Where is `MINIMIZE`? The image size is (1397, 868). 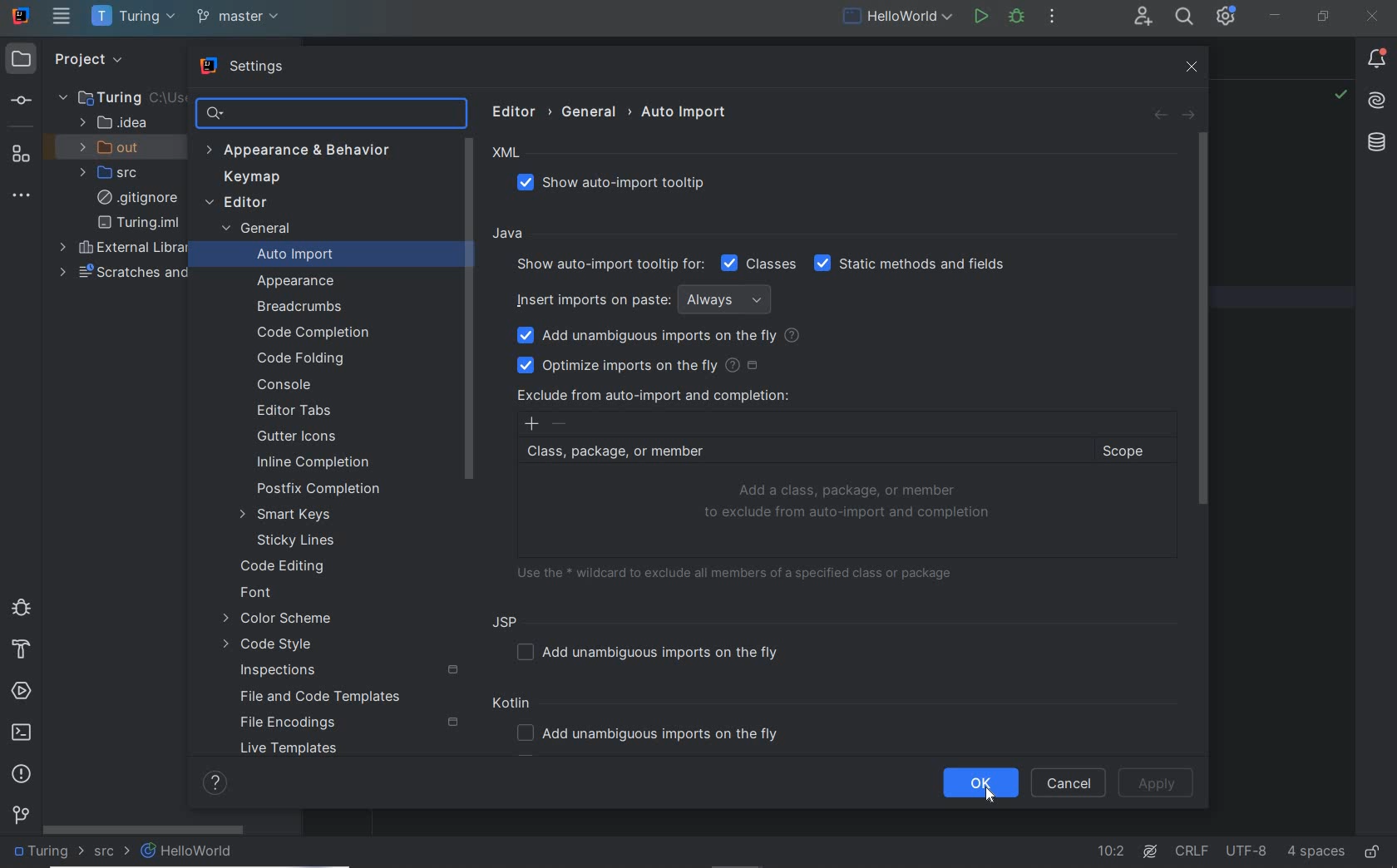 MINIMIZE is located at coordinates (1276, 15).